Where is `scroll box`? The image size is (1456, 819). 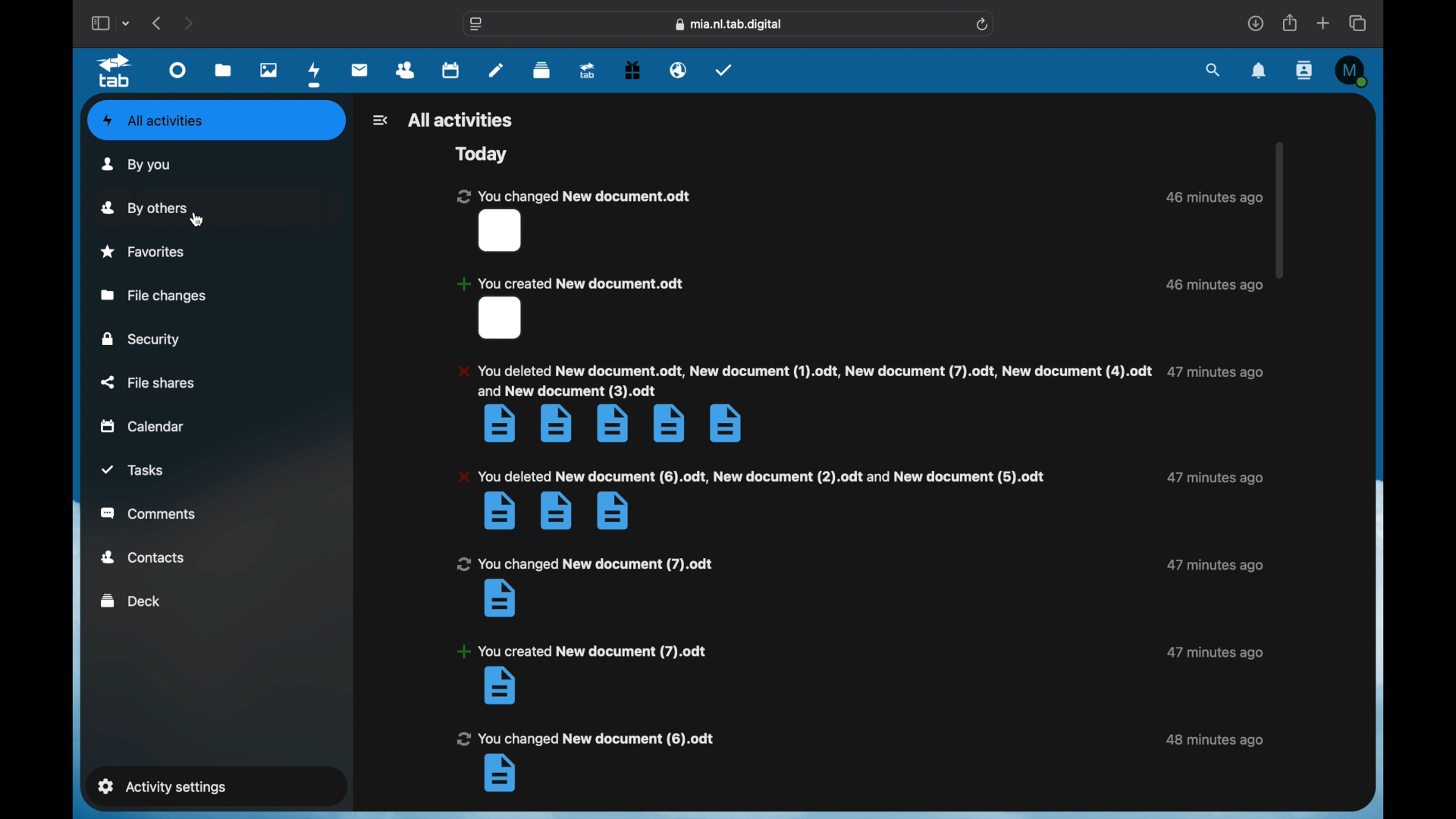 scroll box is located at coordinates (1279, 209).